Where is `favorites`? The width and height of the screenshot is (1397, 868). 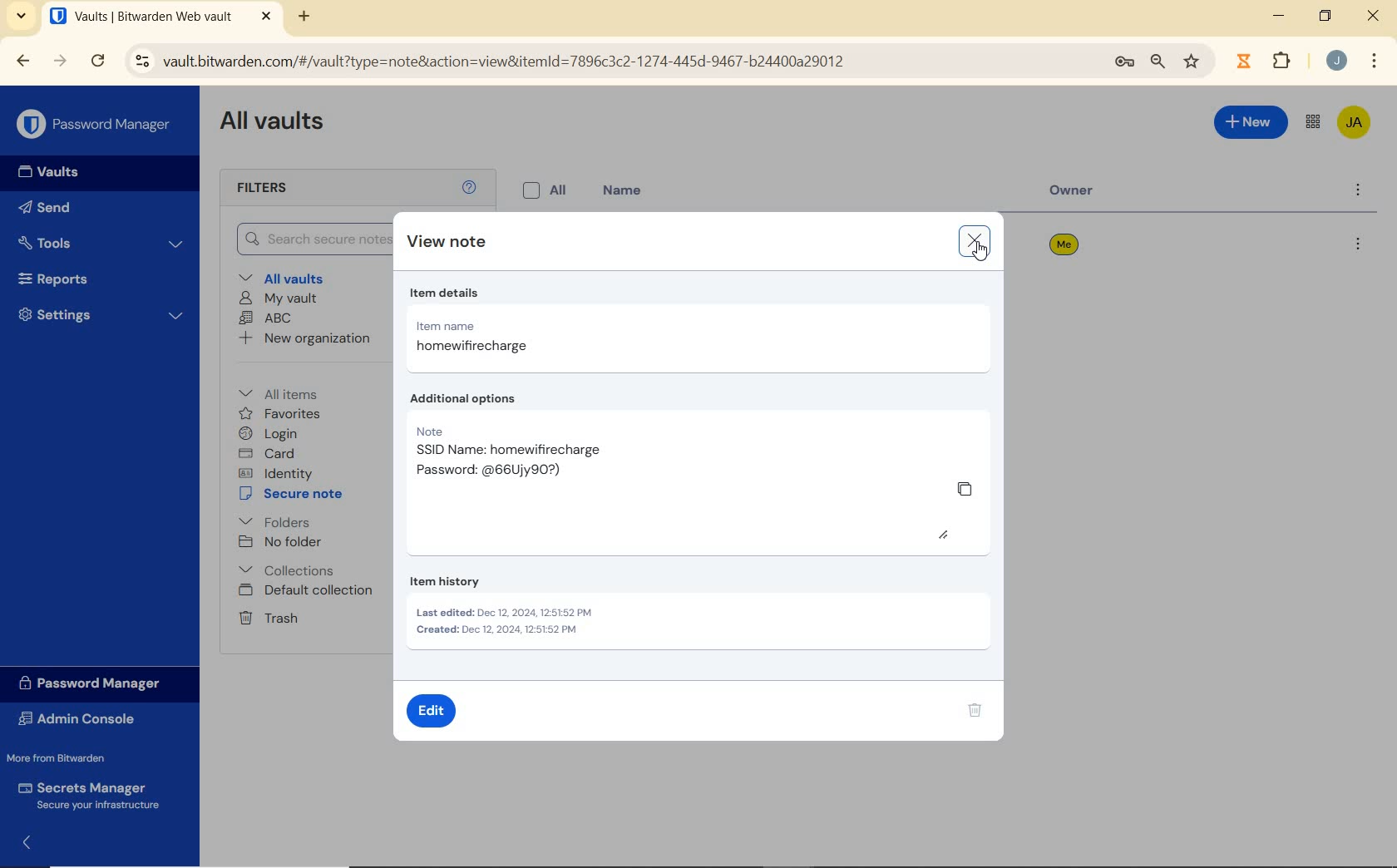 favorites is located at coordinates (280, 414).